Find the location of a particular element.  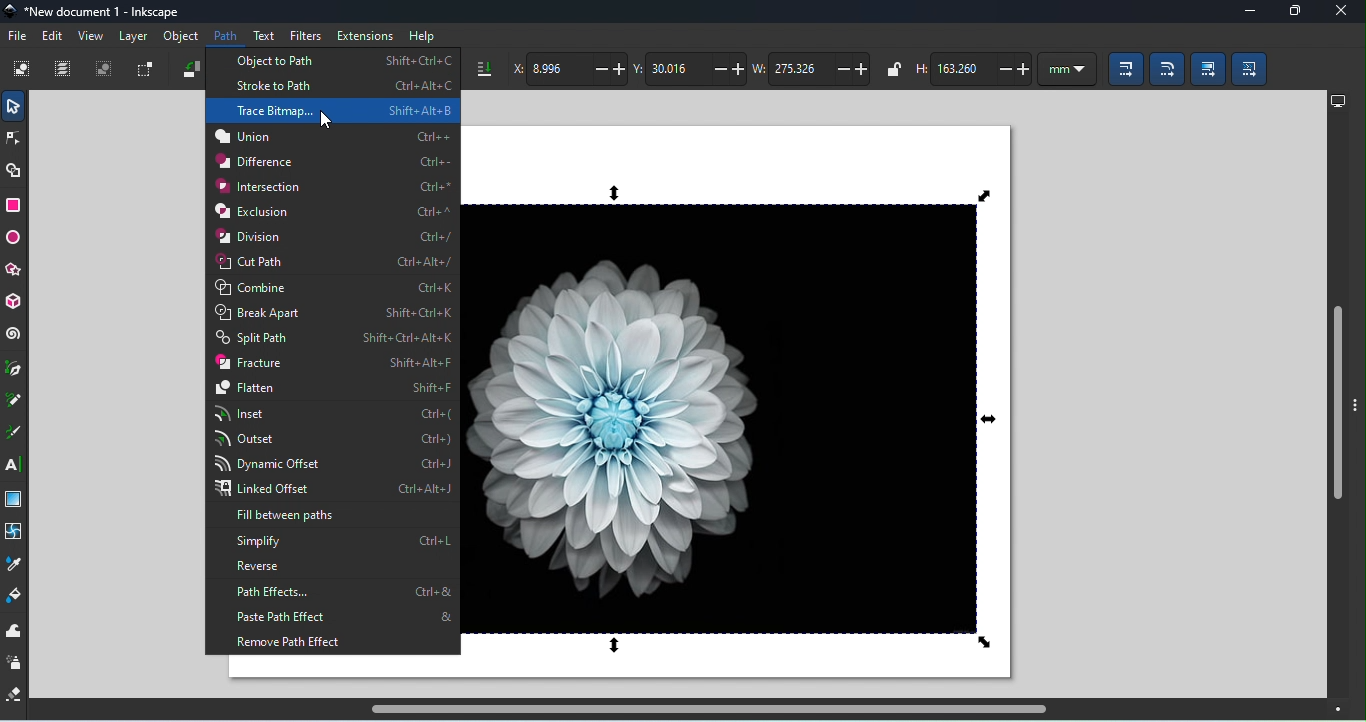

Vertical scroll bar is located at coordinates (1334, 406).